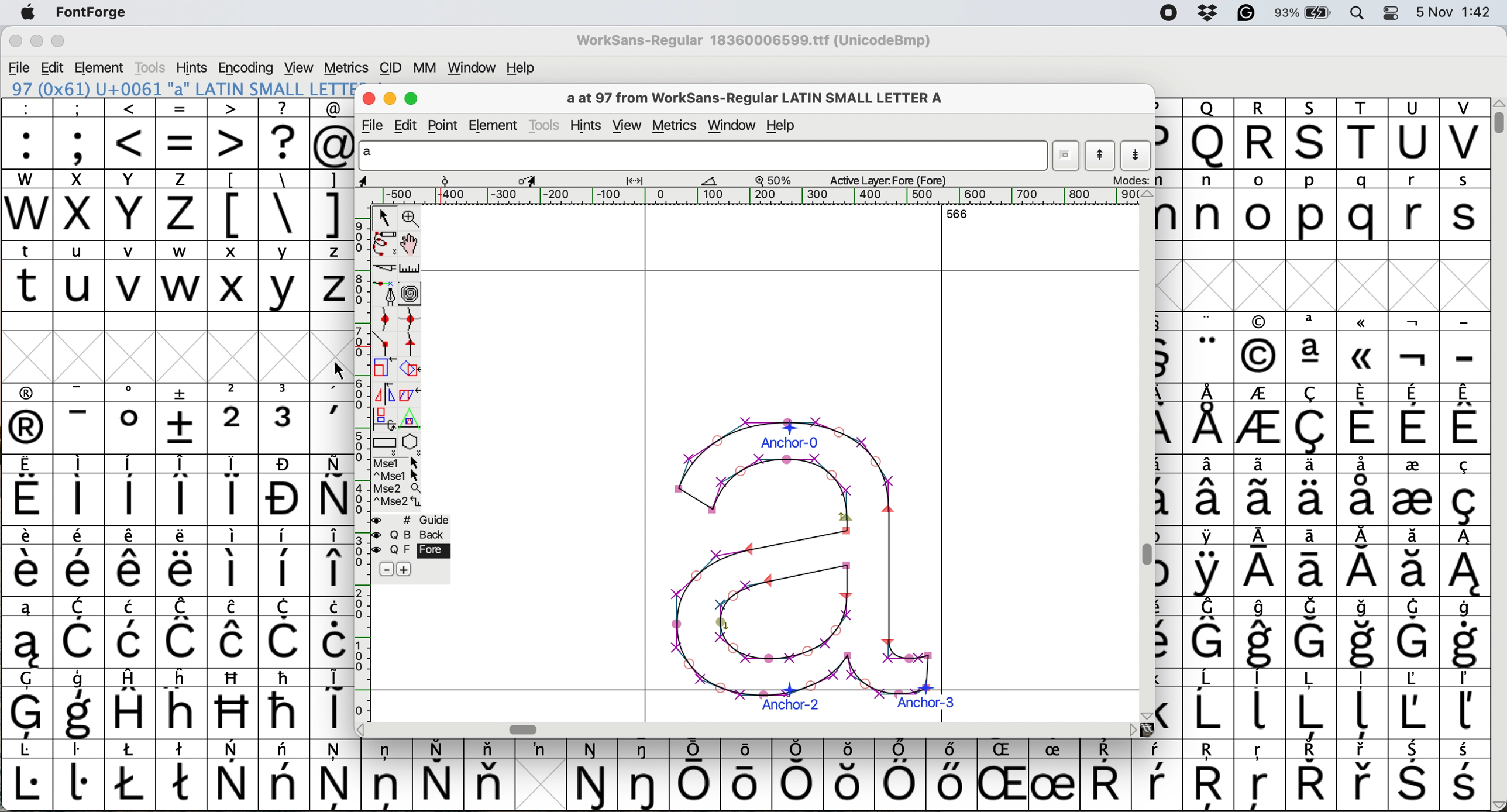 The height and width of the screenshot is (812, 1507). Describe the element at coordinates (1310, 775) in the screenshot. I see `symbol` at that location.